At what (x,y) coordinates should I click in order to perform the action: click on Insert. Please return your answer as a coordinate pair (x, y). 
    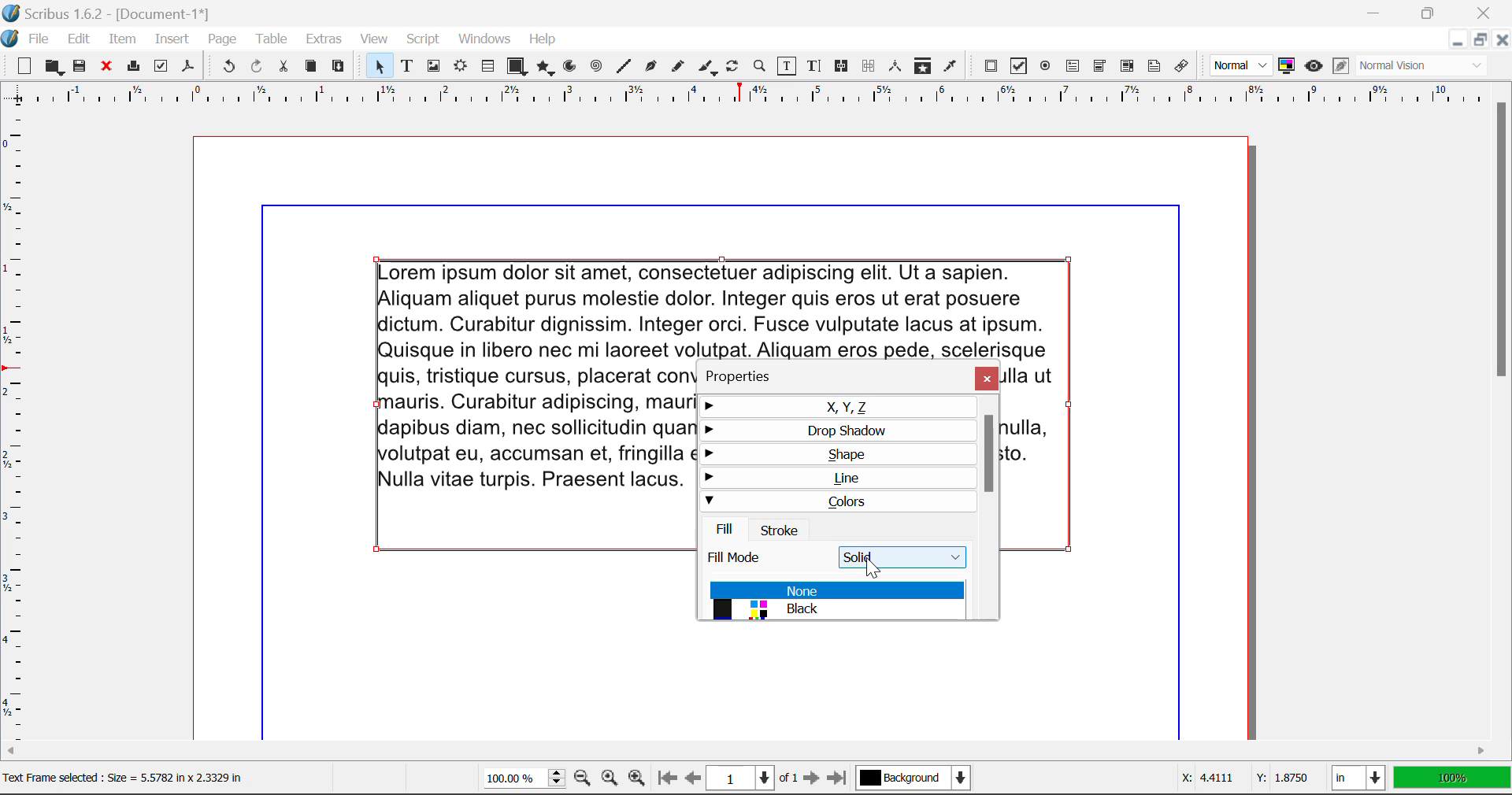
    Looking at the image, I should click on (170, 42).